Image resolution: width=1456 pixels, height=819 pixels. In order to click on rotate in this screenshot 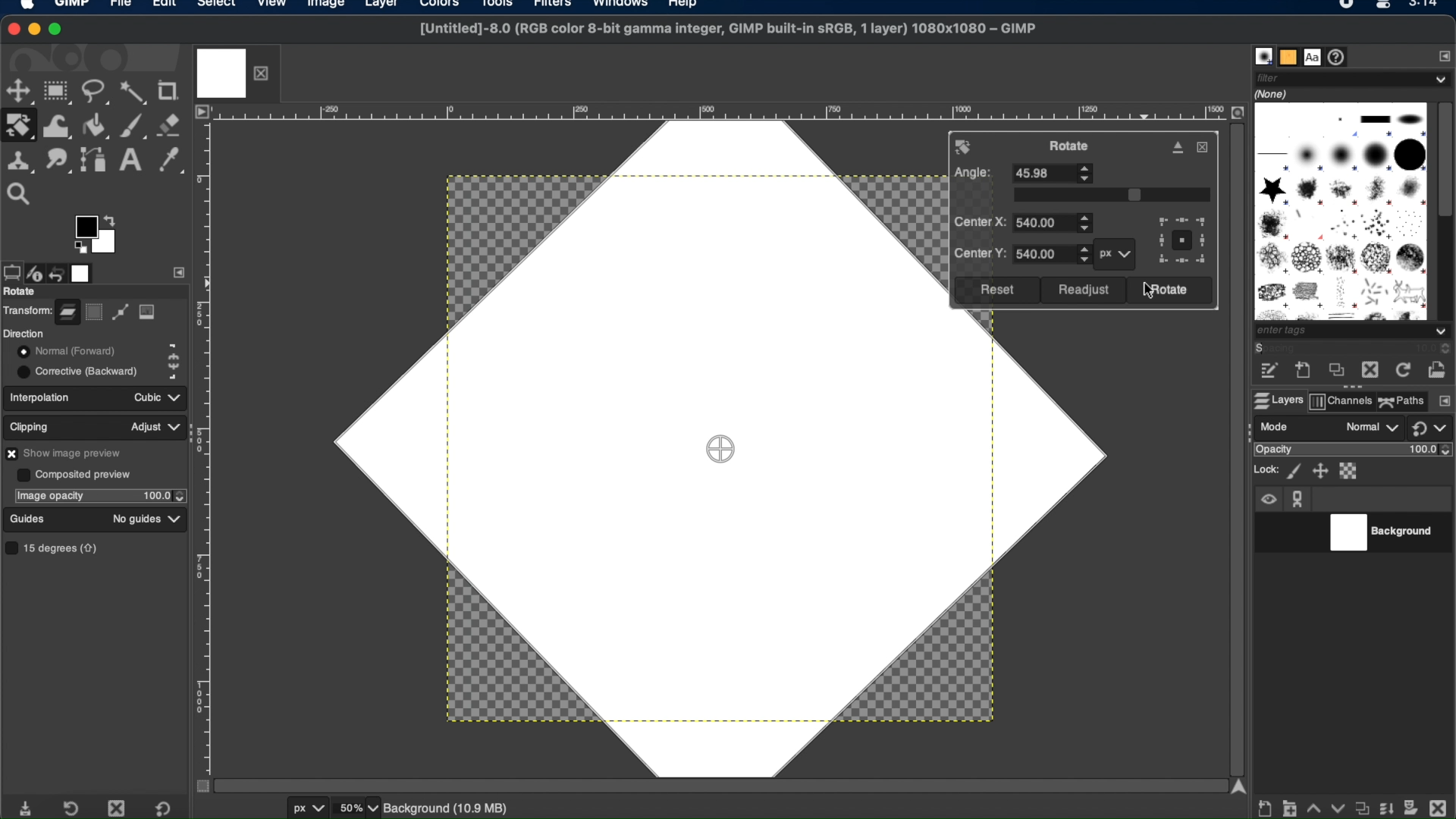, I will do `click(21, 292)`.